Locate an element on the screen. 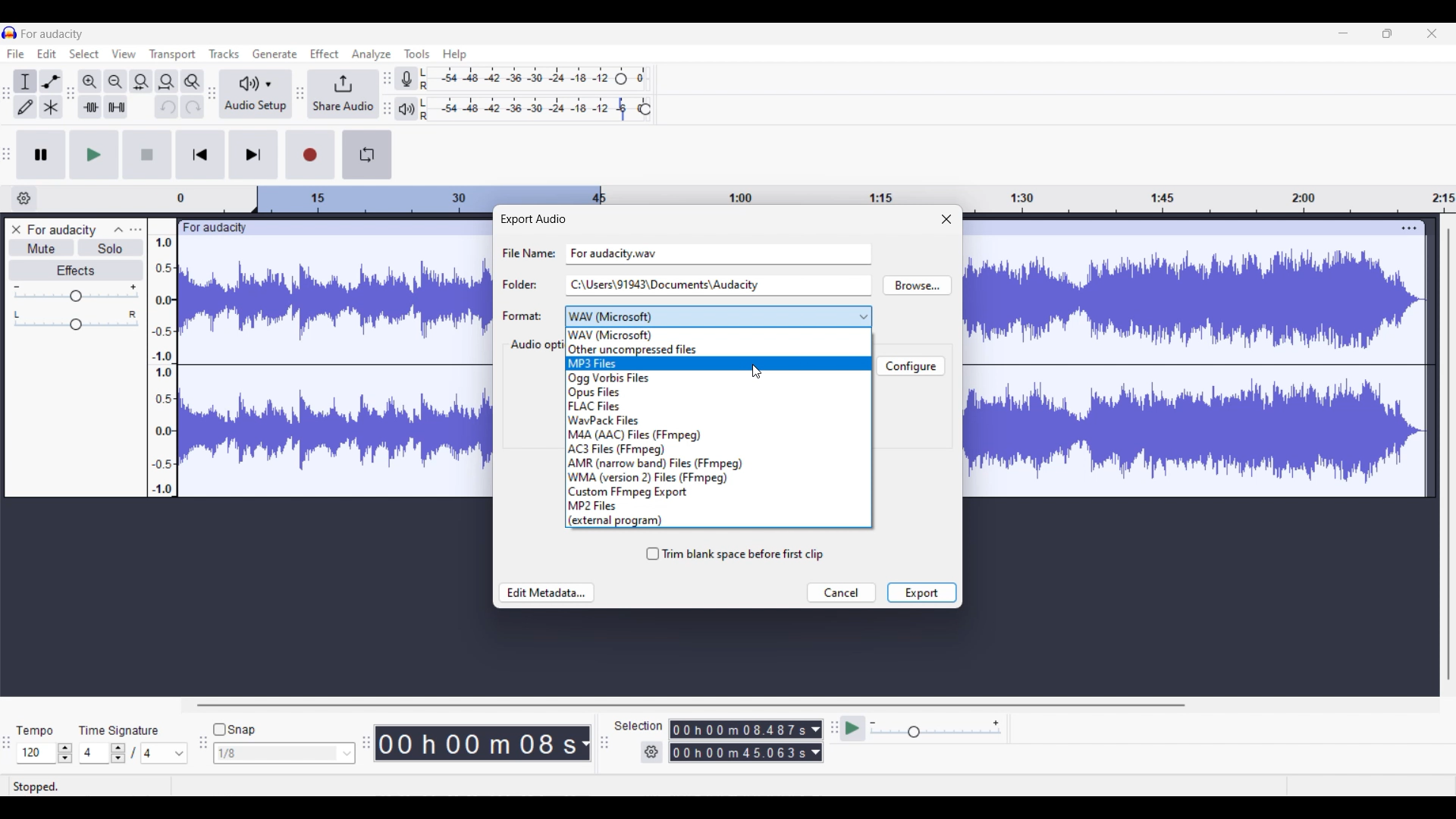  Close track is located at coordinates (17, 229).